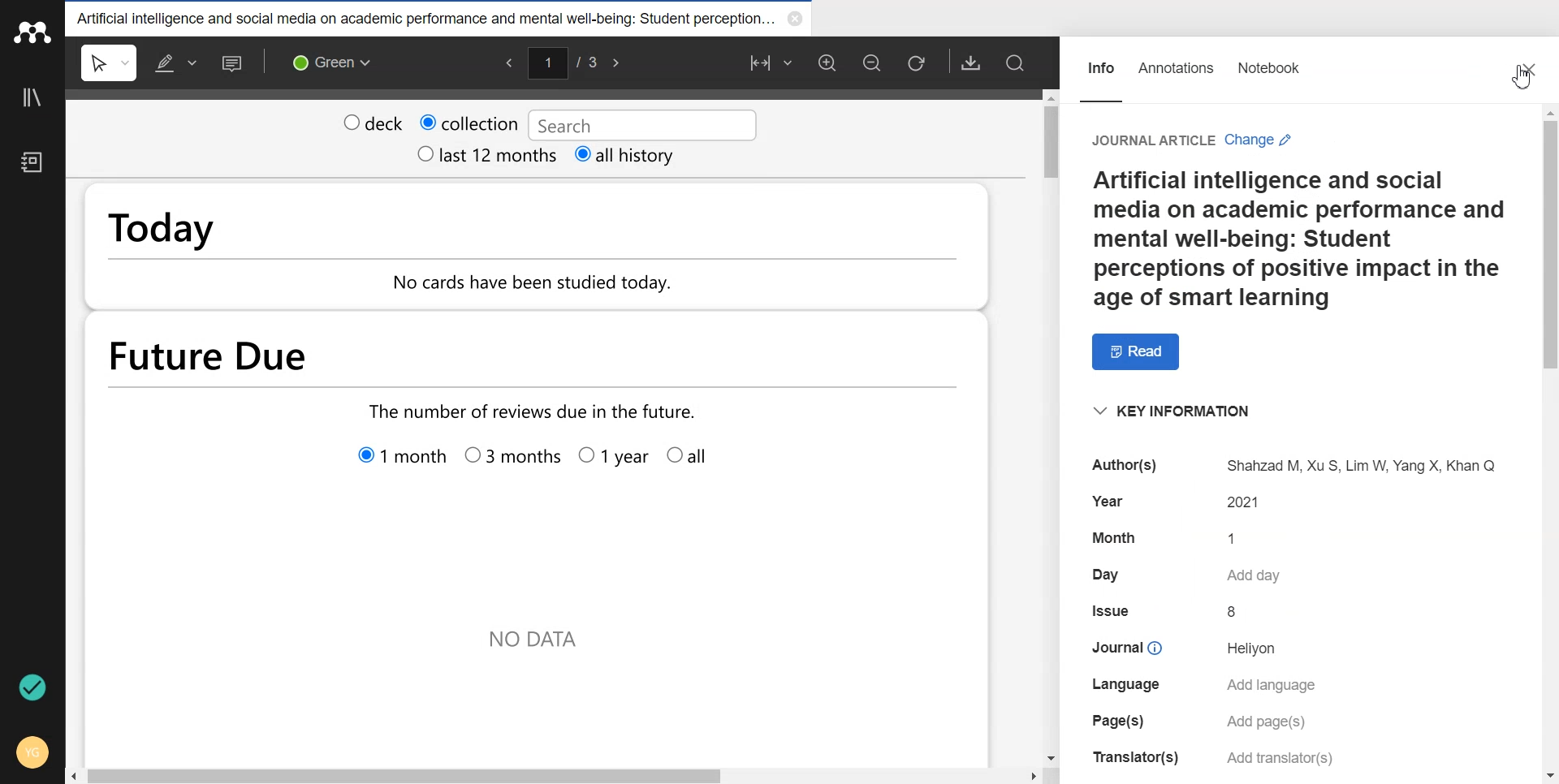 The image size is (1559, 784). I want to click on 3 months, so click(512, 459).